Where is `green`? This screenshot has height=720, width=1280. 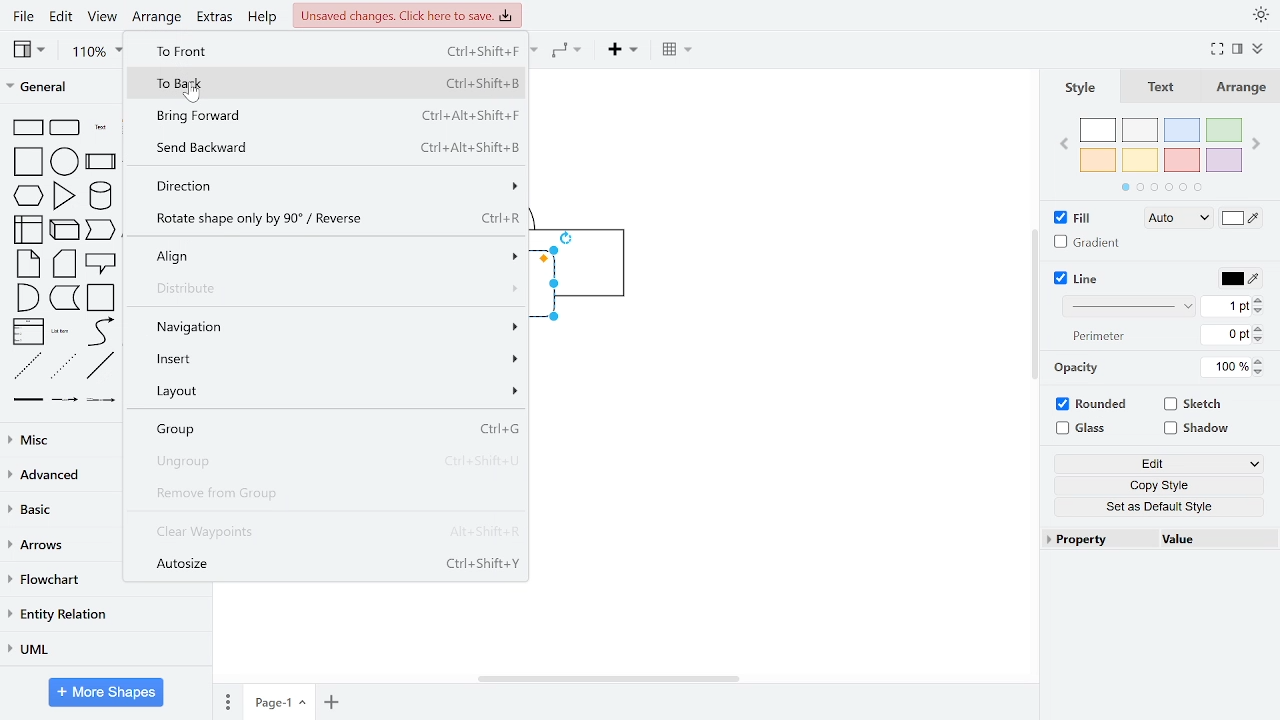
green is located at coordinates (1226, 130).